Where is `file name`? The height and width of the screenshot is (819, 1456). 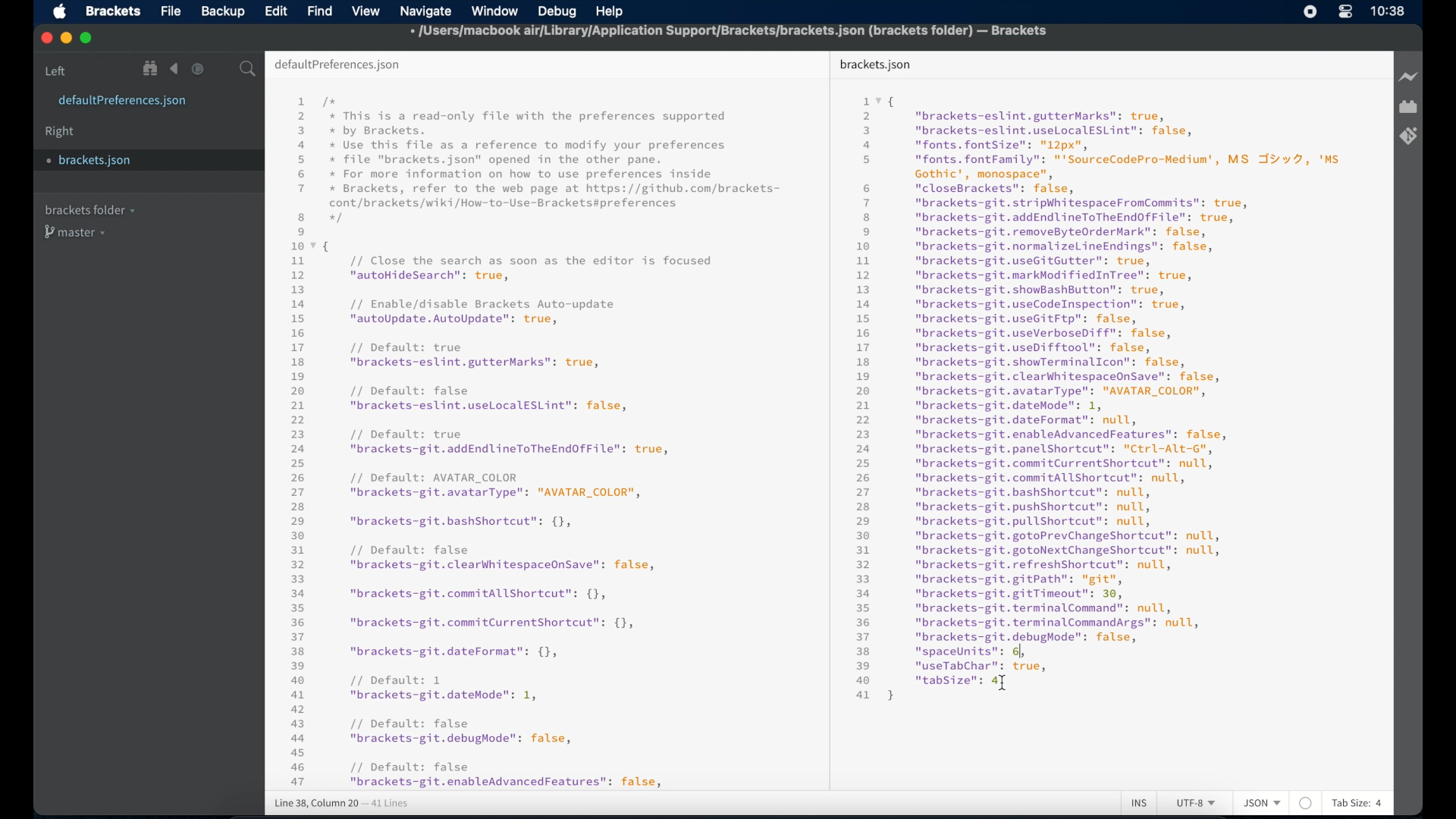 file name is located at coordinates (730, 33).